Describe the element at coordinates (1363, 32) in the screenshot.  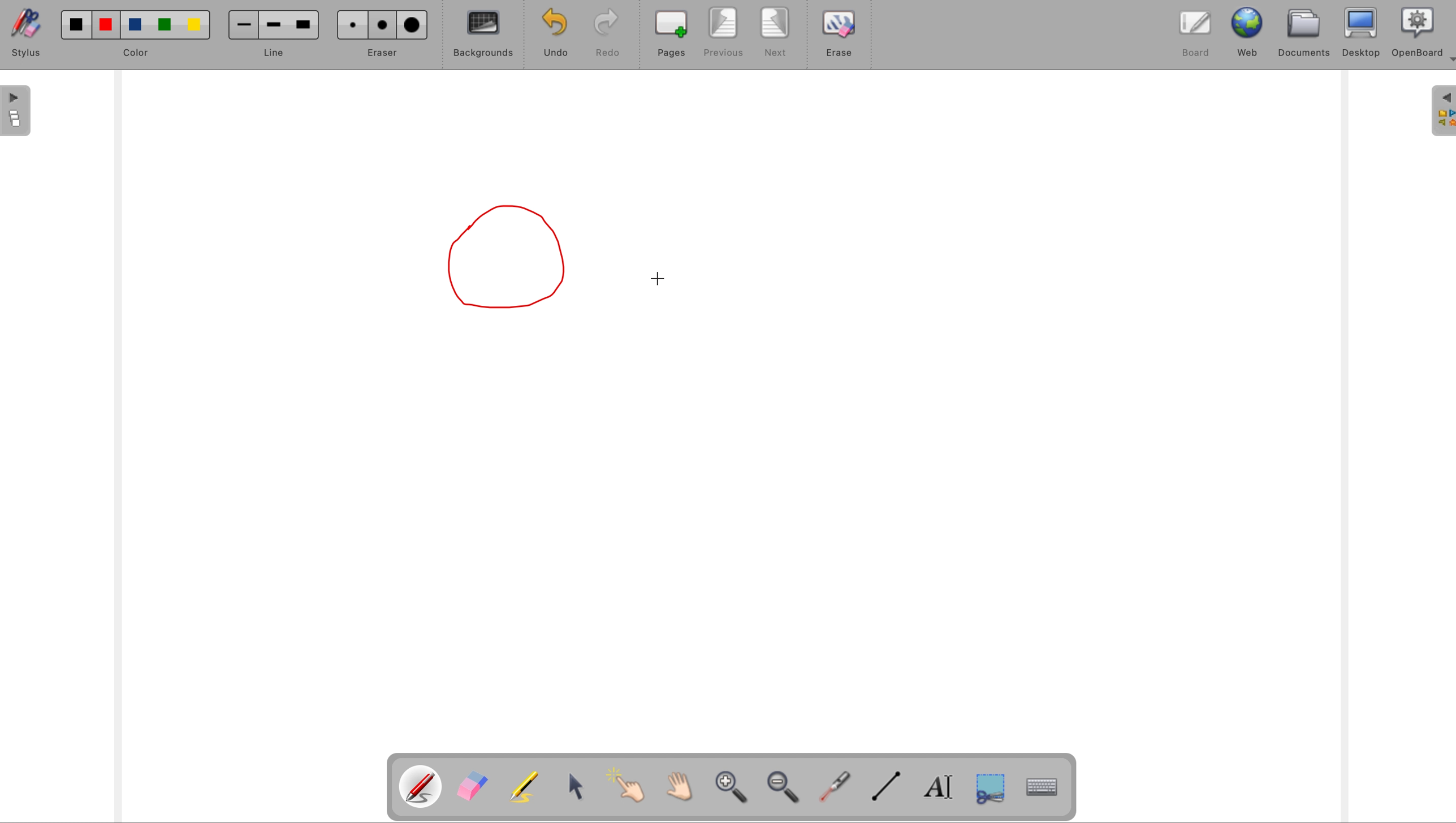
I see `desktop` at that location.